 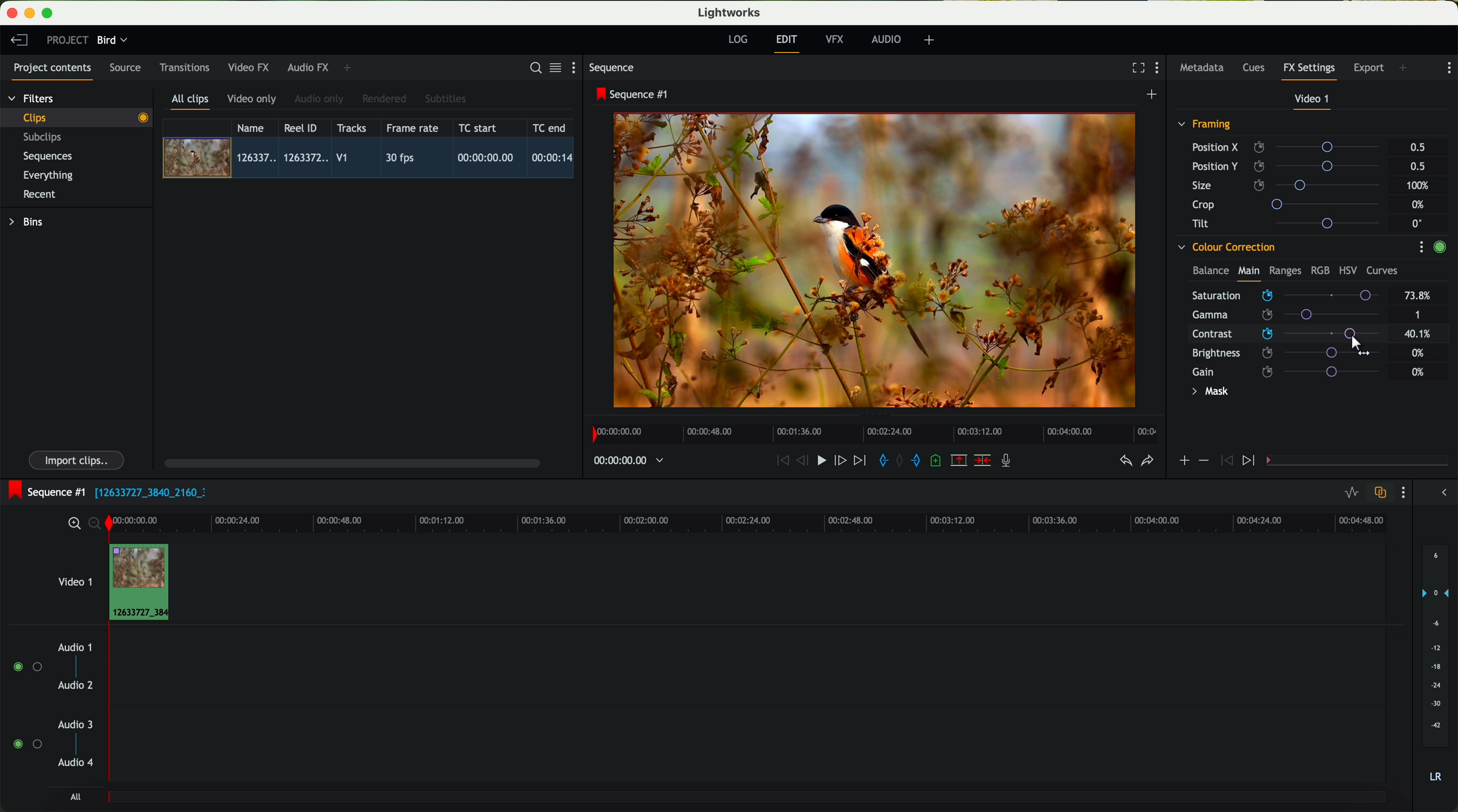 I want to click on curves, so click(x=1382, y=271).